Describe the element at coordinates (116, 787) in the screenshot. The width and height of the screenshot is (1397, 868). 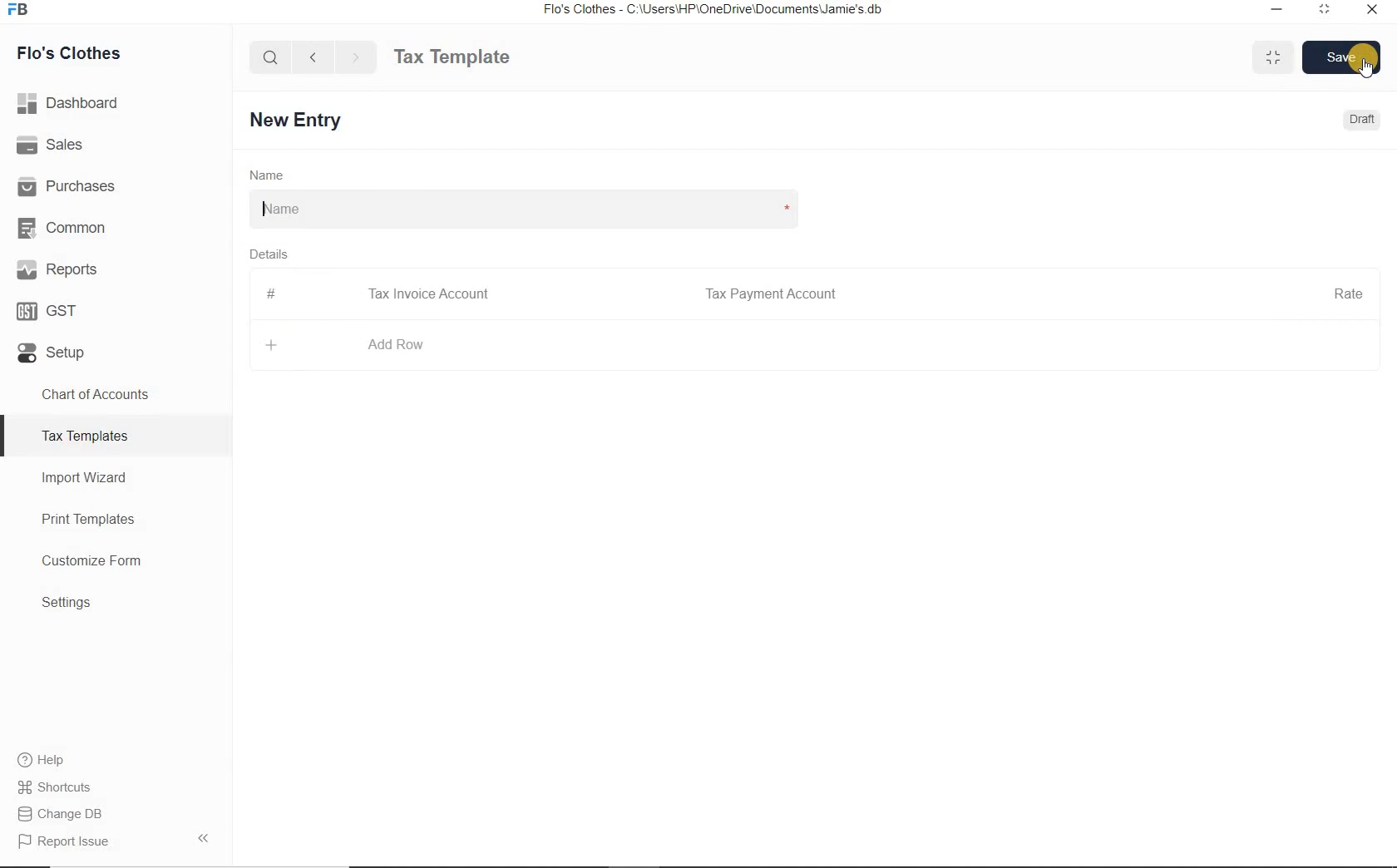
I see `Shortcuts` at that location.